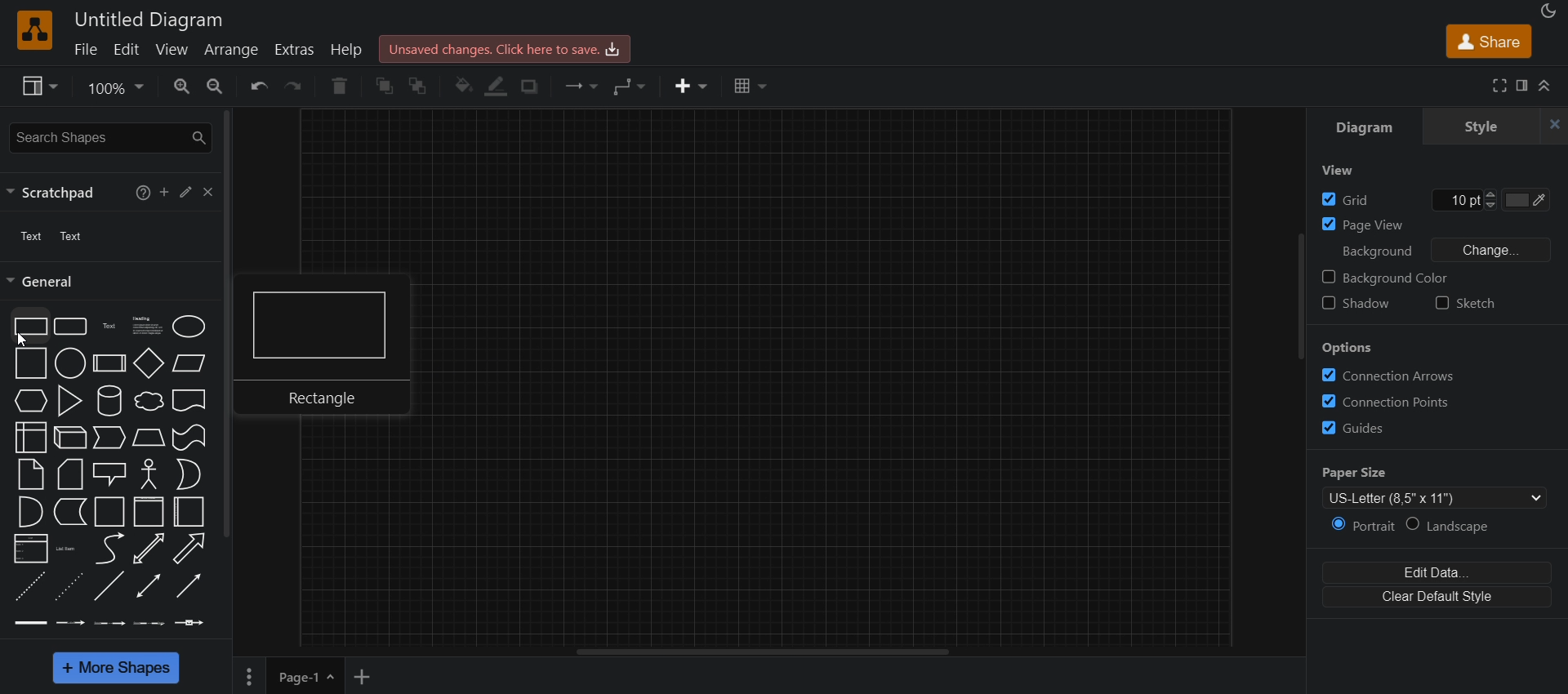  What do you see at coordinates (872, 382) in the screenshot?
I see `canvas` at bounding box center [872, 382].